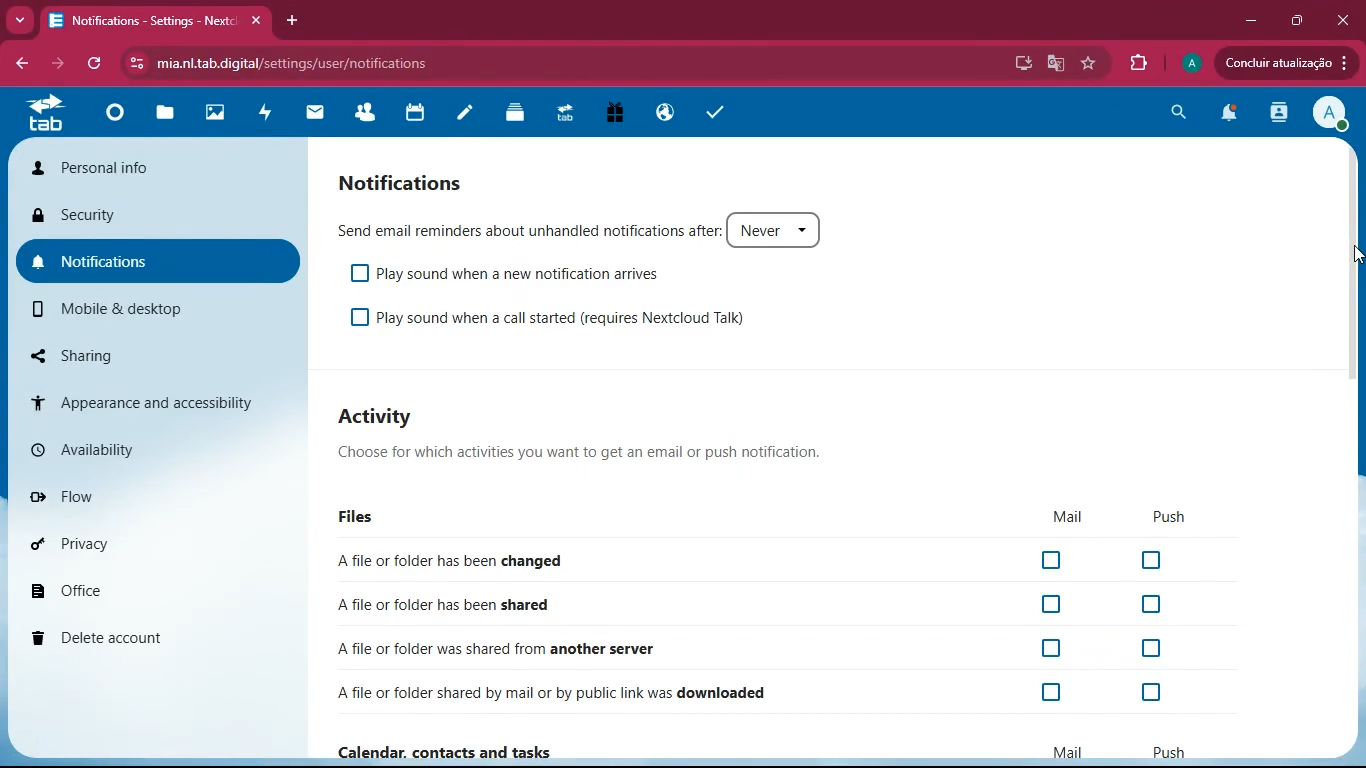  I want to click on google translate, so click(1055, 63).